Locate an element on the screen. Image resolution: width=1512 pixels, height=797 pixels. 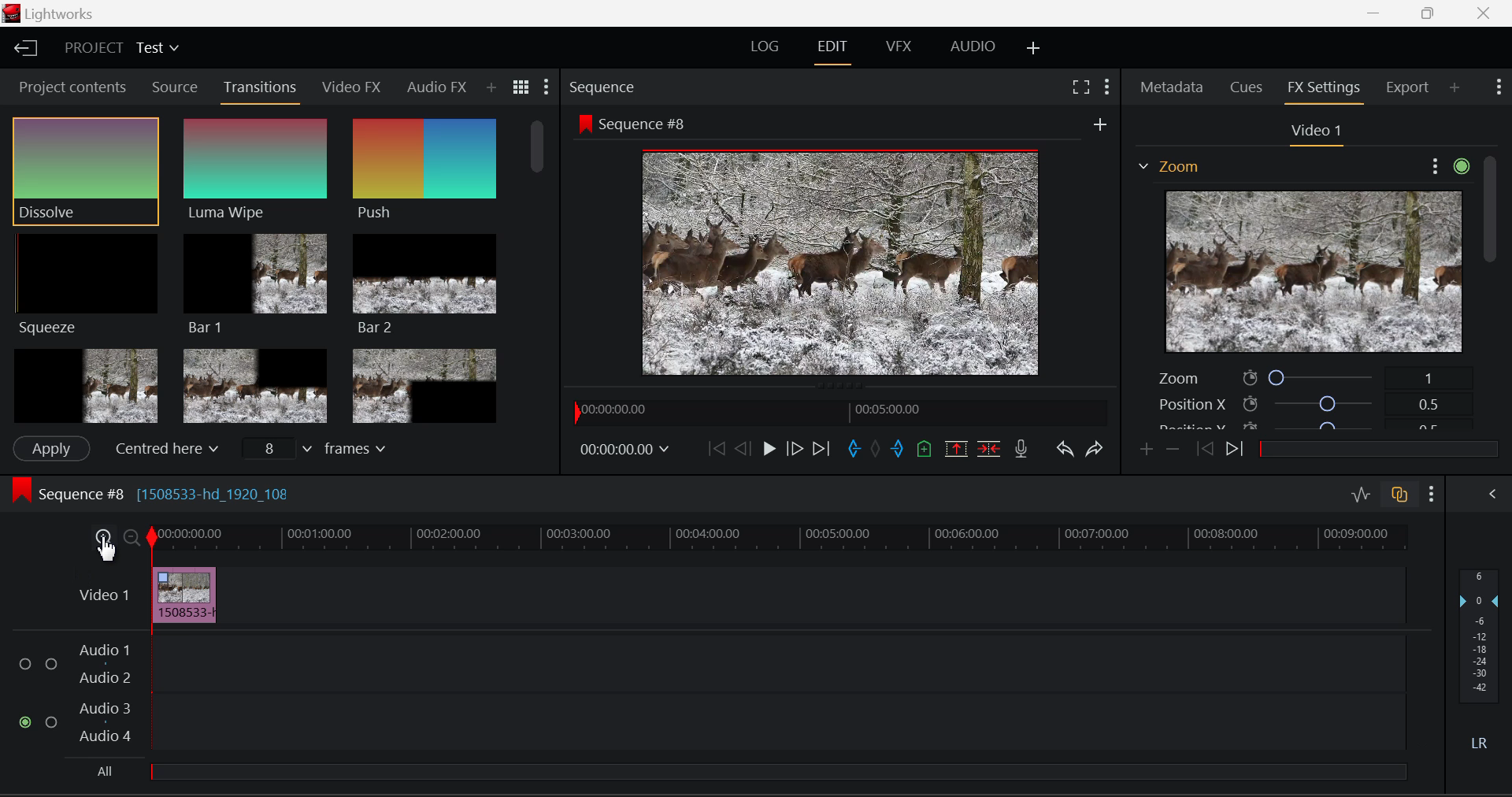
Luma Wipe is located at coordinates (254, 169).